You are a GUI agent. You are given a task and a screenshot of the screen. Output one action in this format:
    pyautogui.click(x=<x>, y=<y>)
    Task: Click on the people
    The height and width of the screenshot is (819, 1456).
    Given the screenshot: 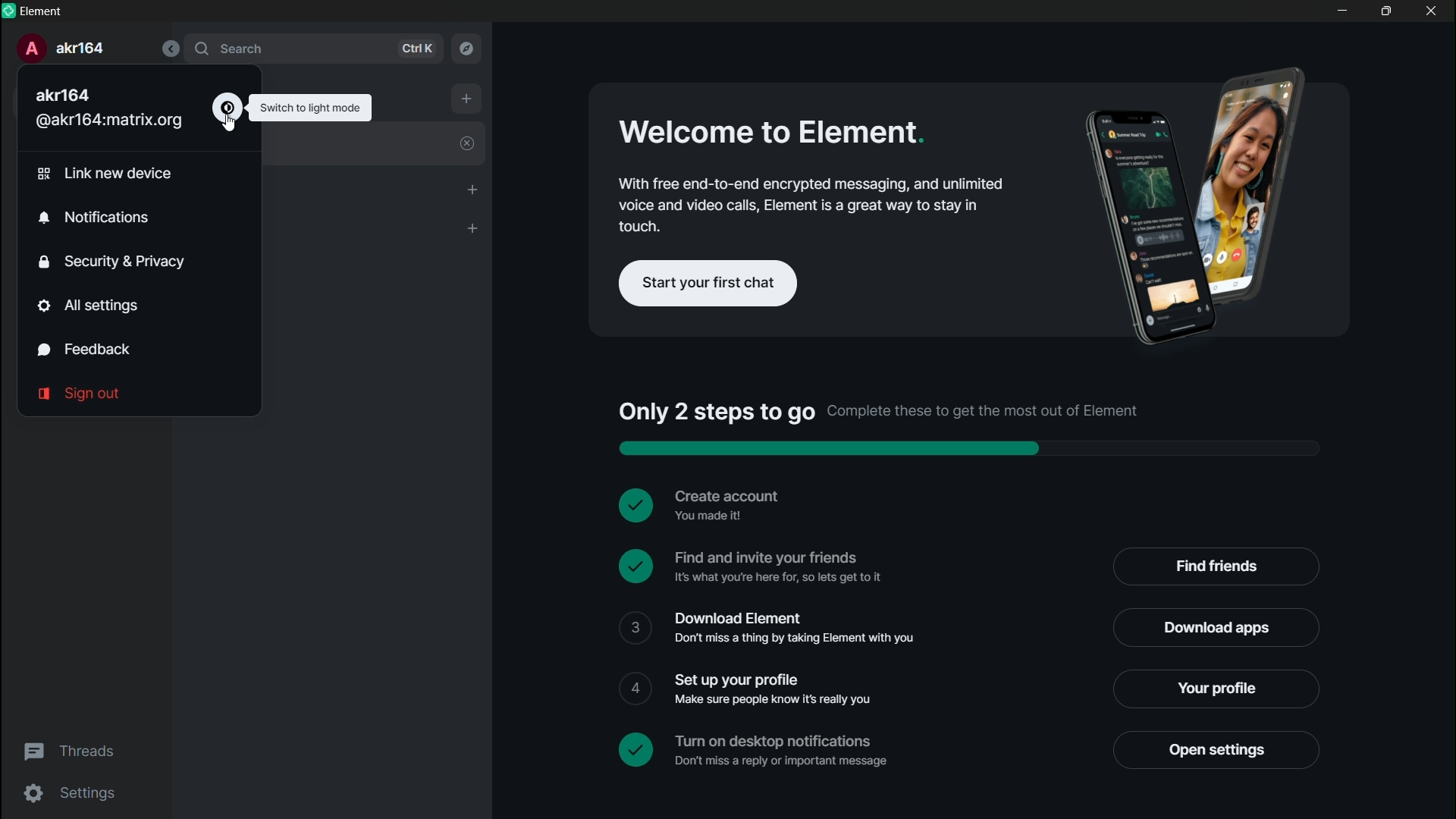 What is the action you would take?
    pyautogui.click(x=362, y=191)
    